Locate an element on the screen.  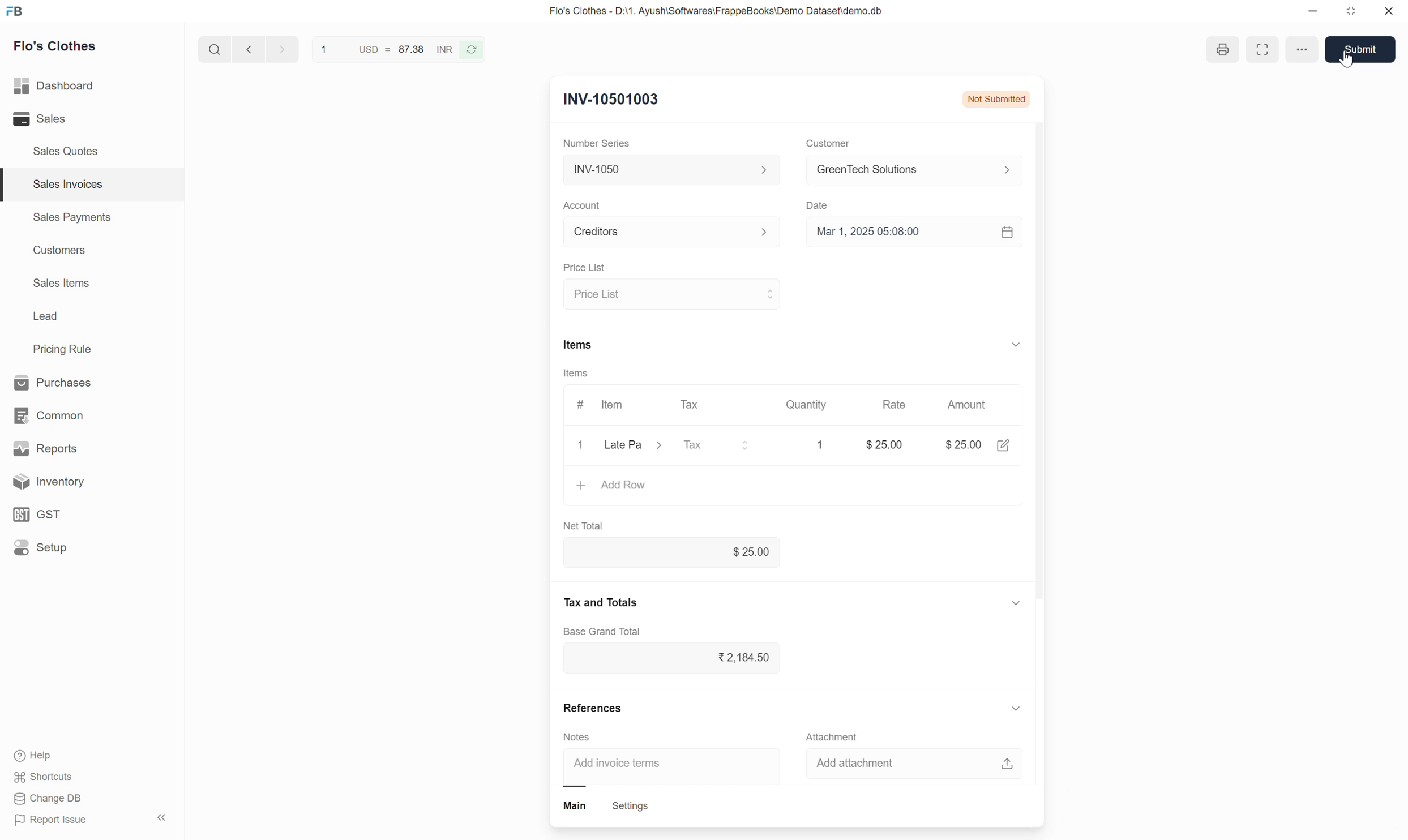
Quantity is located at coordinates (821, 444).